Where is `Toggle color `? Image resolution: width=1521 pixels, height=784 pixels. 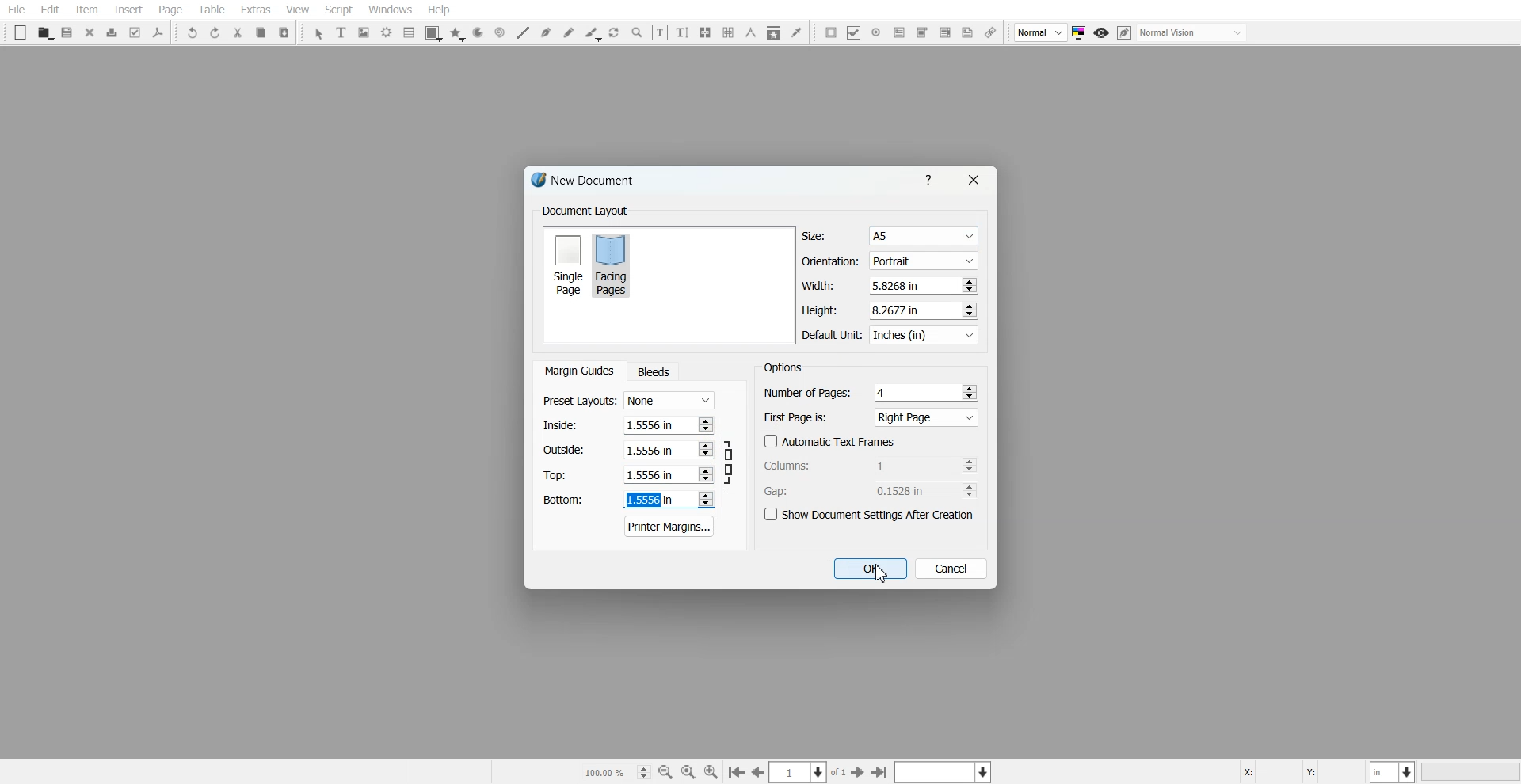
Toggle color  is located at coordinates (1081, 33).